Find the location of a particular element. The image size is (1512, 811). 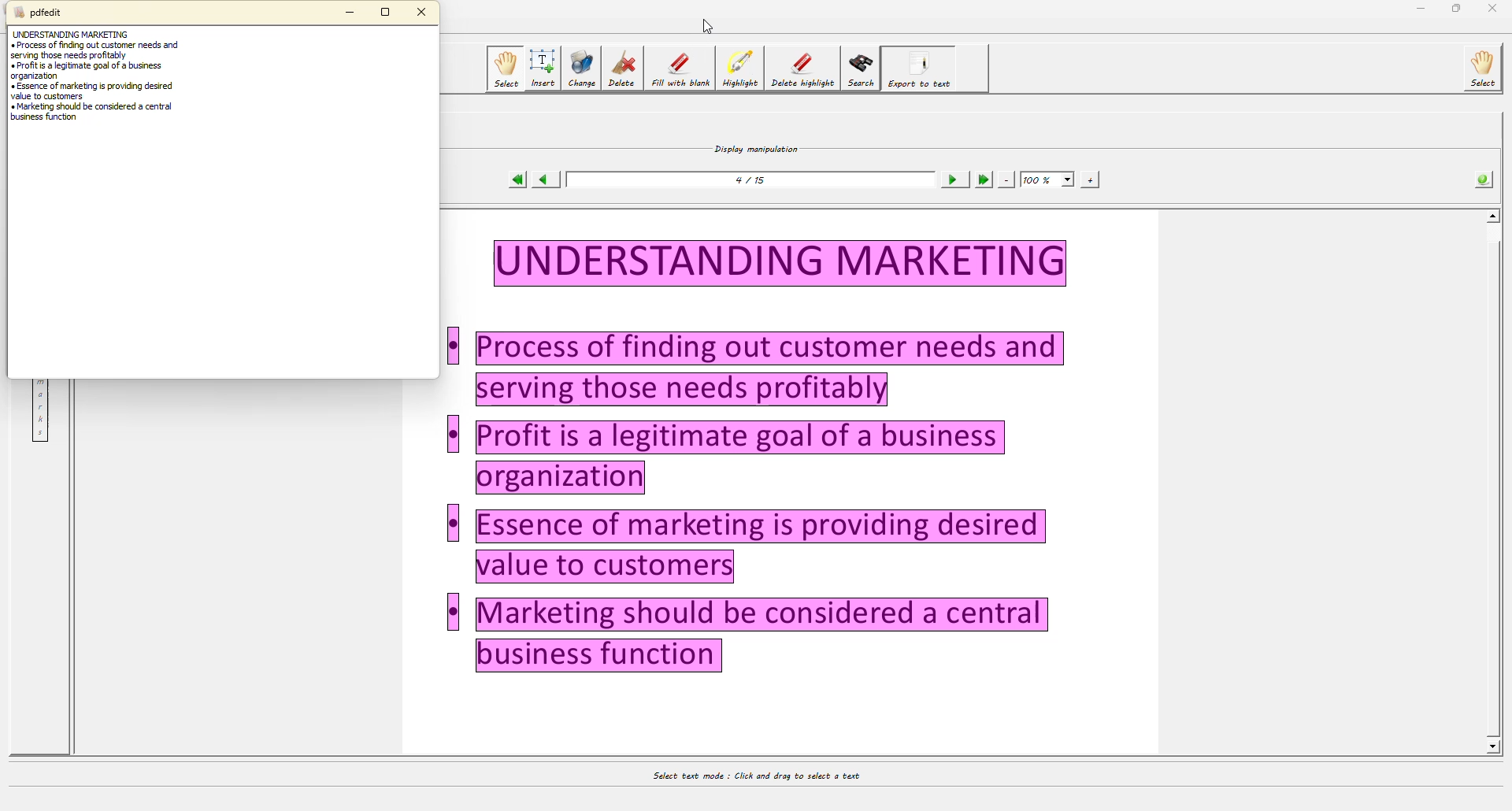

4 Process of finding out customer needs and4 Profit i a legitimate goal of a business.4 [Essence of marketing 1s providing desired4 Marketing should be considered a central business function. is located at coordinates (816, 455).